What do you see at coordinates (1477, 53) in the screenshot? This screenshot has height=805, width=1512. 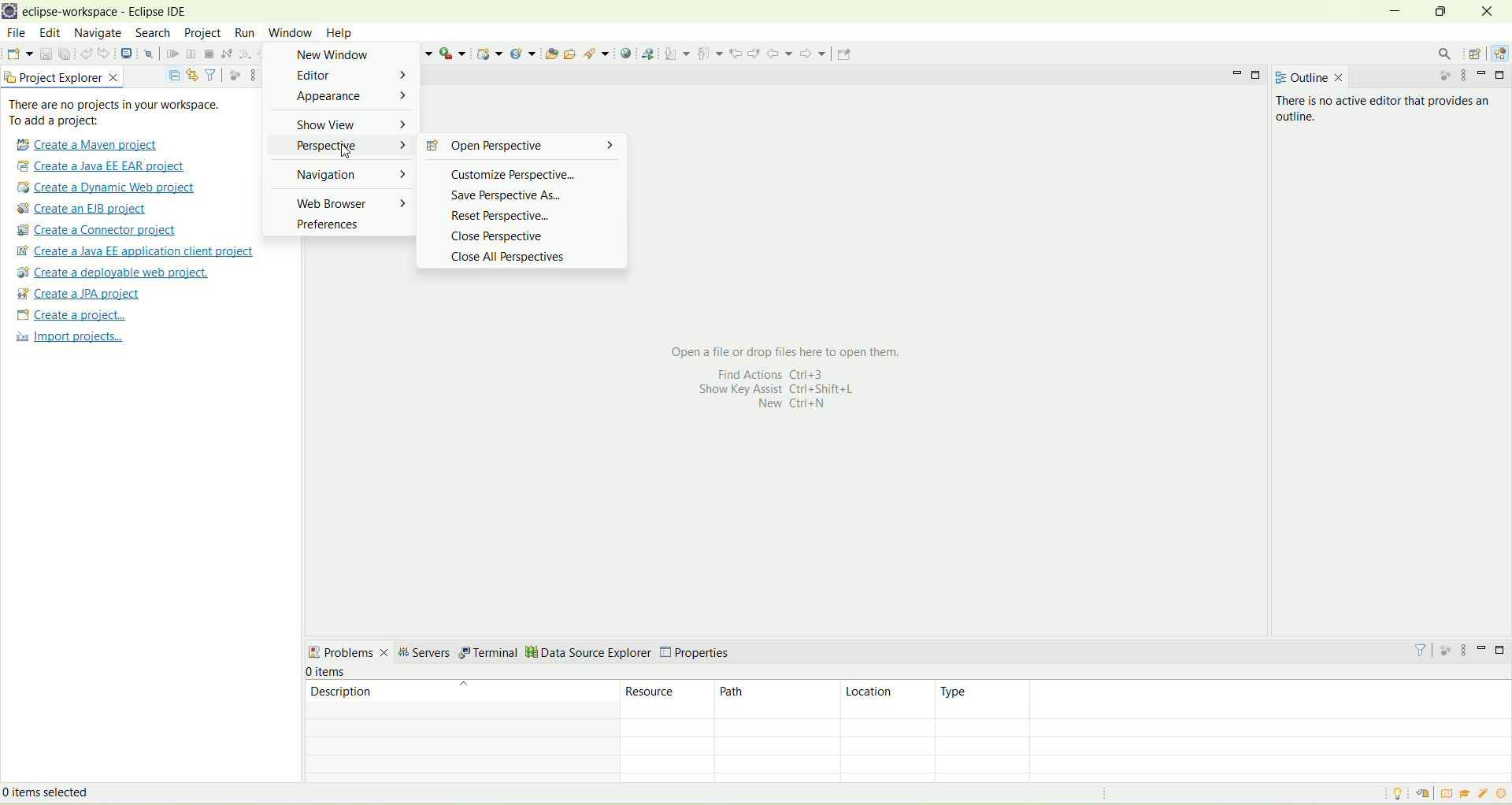 I see `open perspective` at bounding box center [1477, 53].